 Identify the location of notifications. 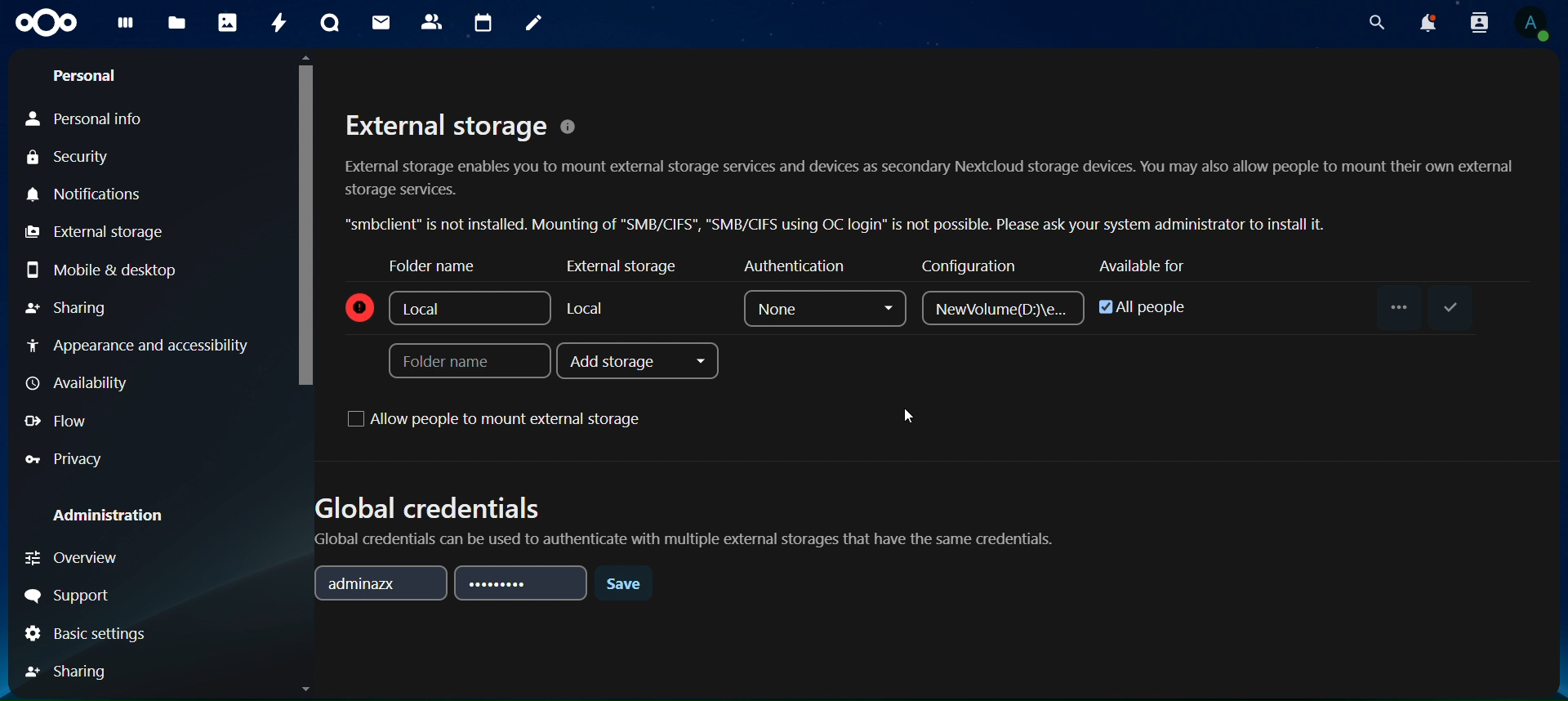
(1429, 22).